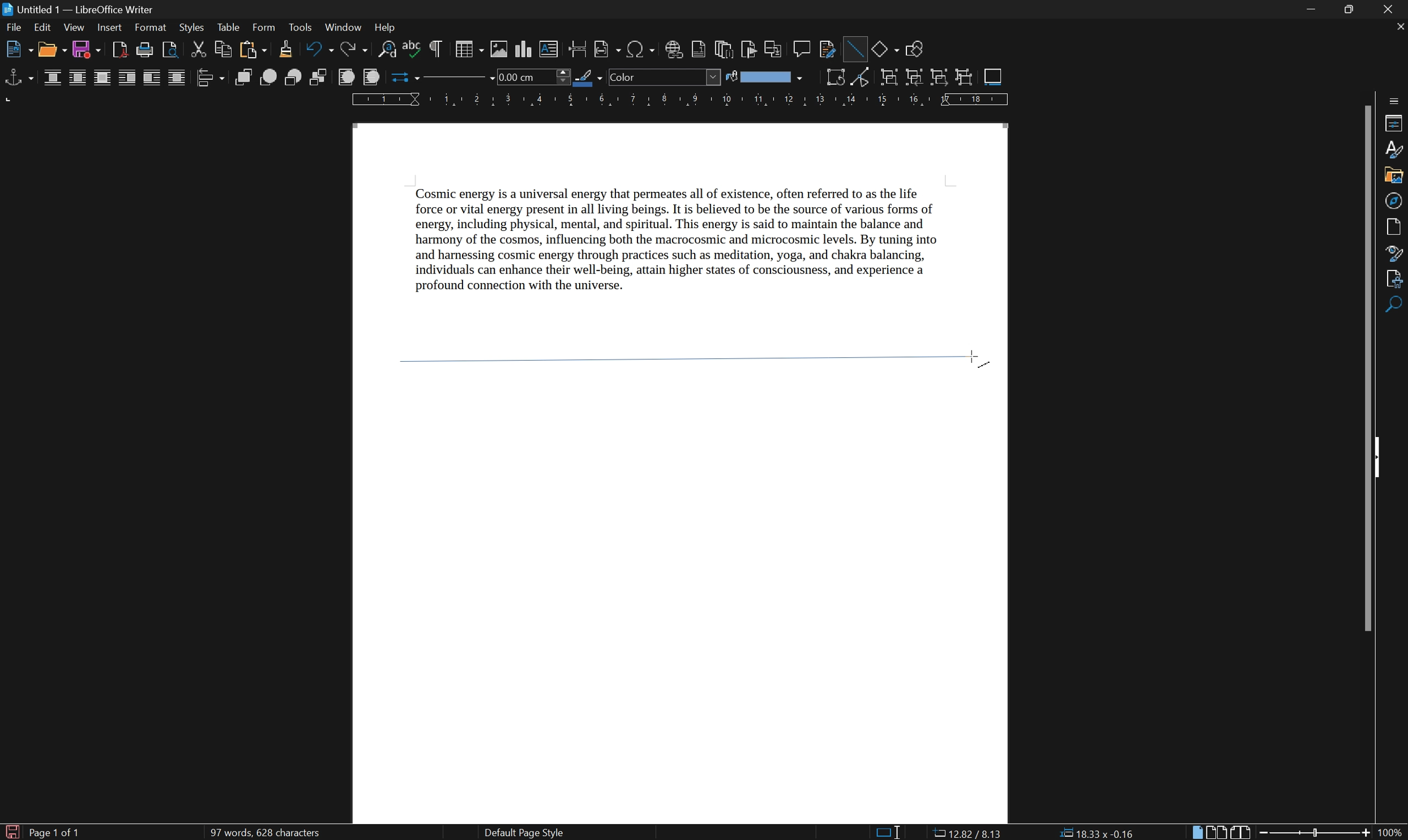 This screenshot has height=840, width=1408. I want to click on paste, so click(251, 50).